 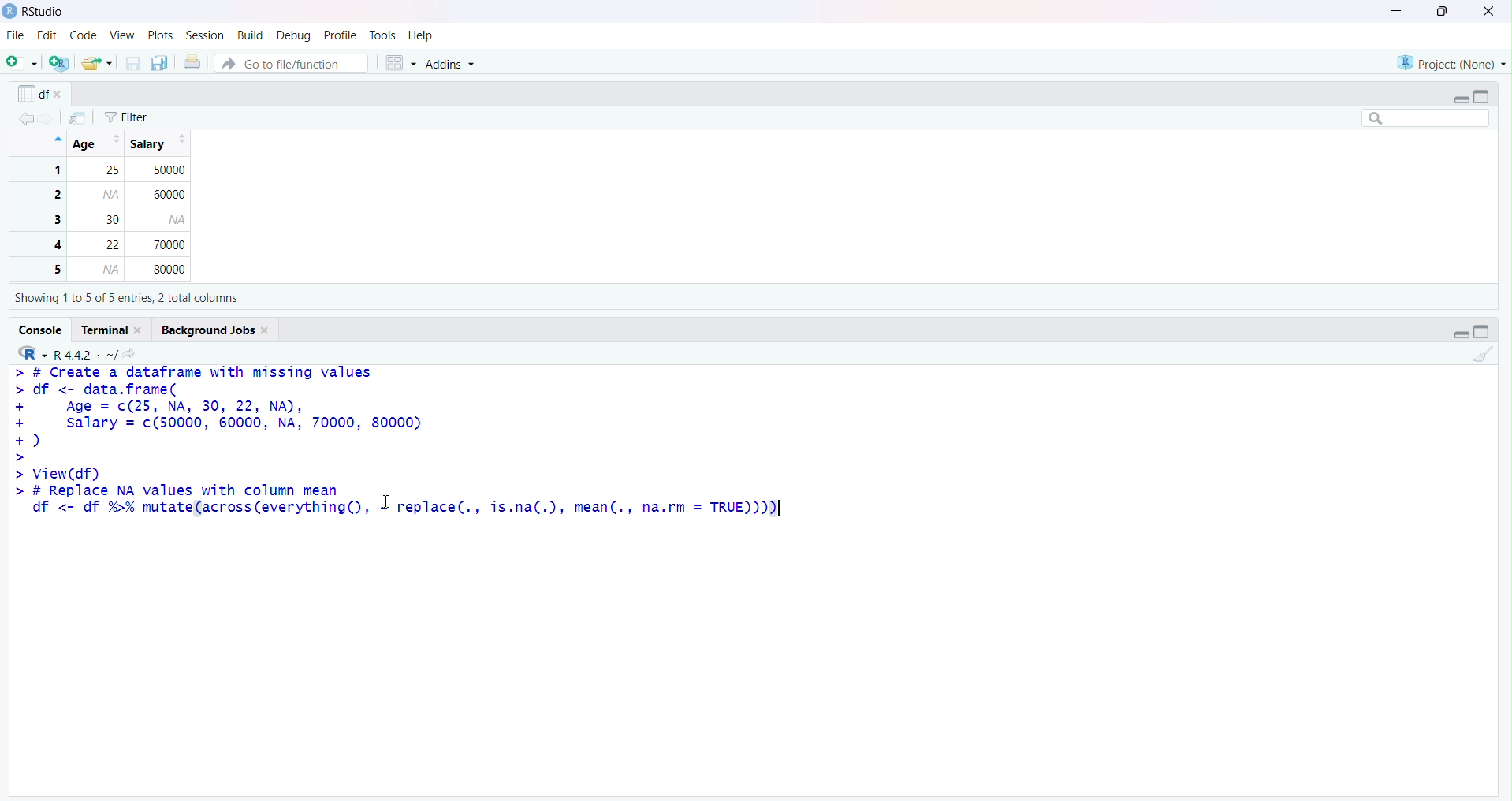 I want to click on View, so click(x=121, y=36).